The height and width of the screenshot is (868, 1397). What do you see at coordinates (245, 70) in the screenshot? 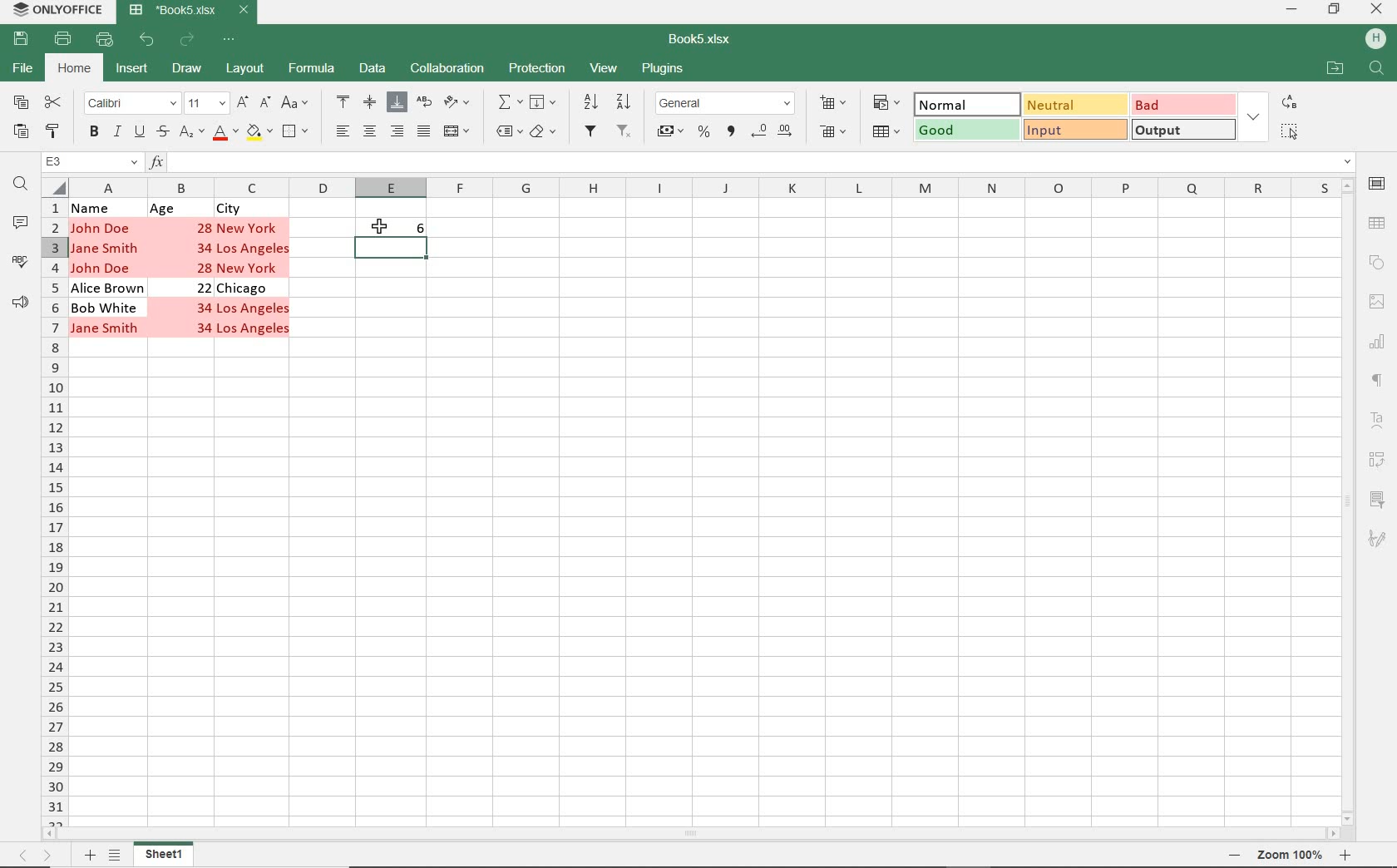
I see `LAYOUT` at bounding box center [245, 70].